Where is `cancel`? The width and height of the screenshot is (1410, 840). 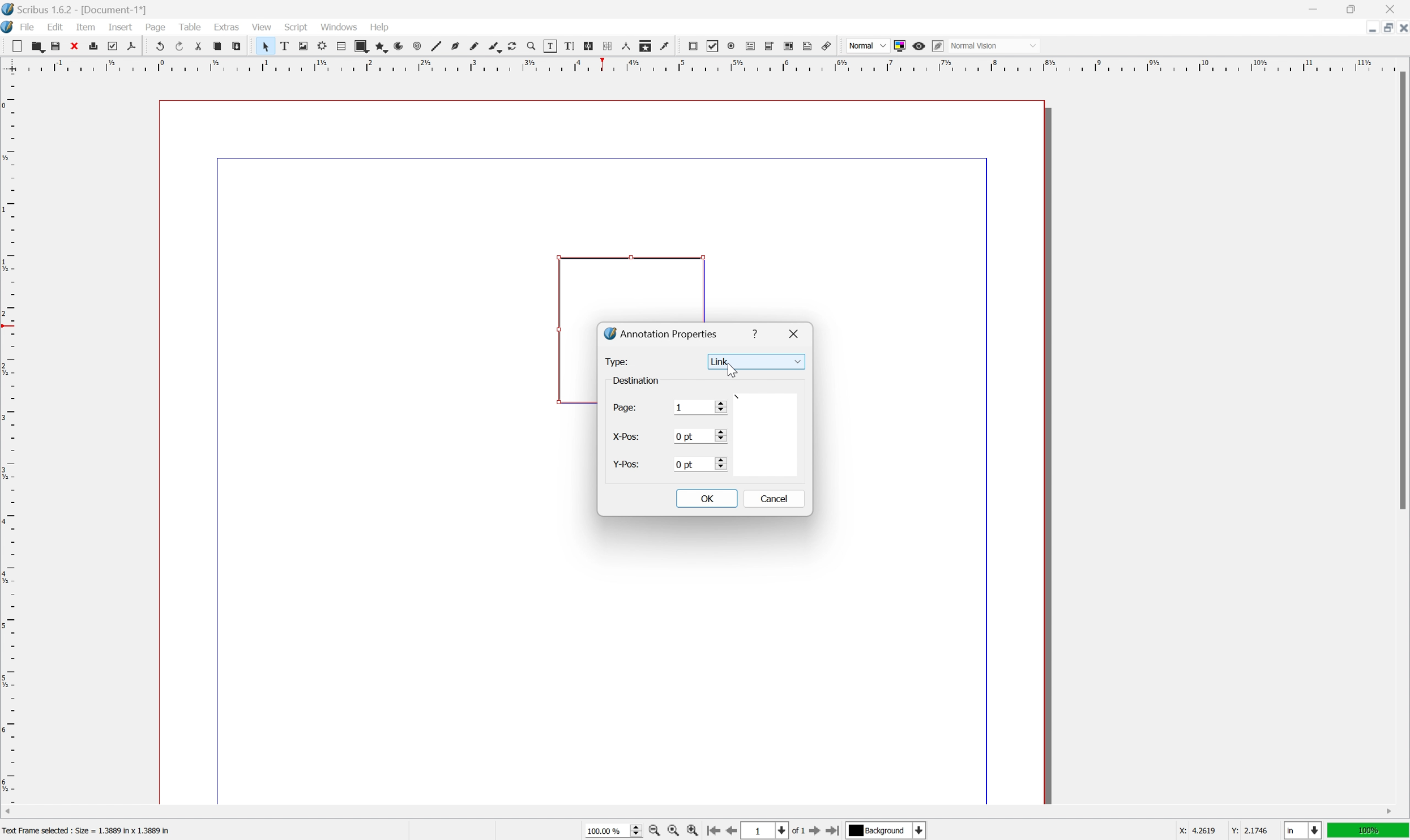 cancel is located at coordinates (778, 501).